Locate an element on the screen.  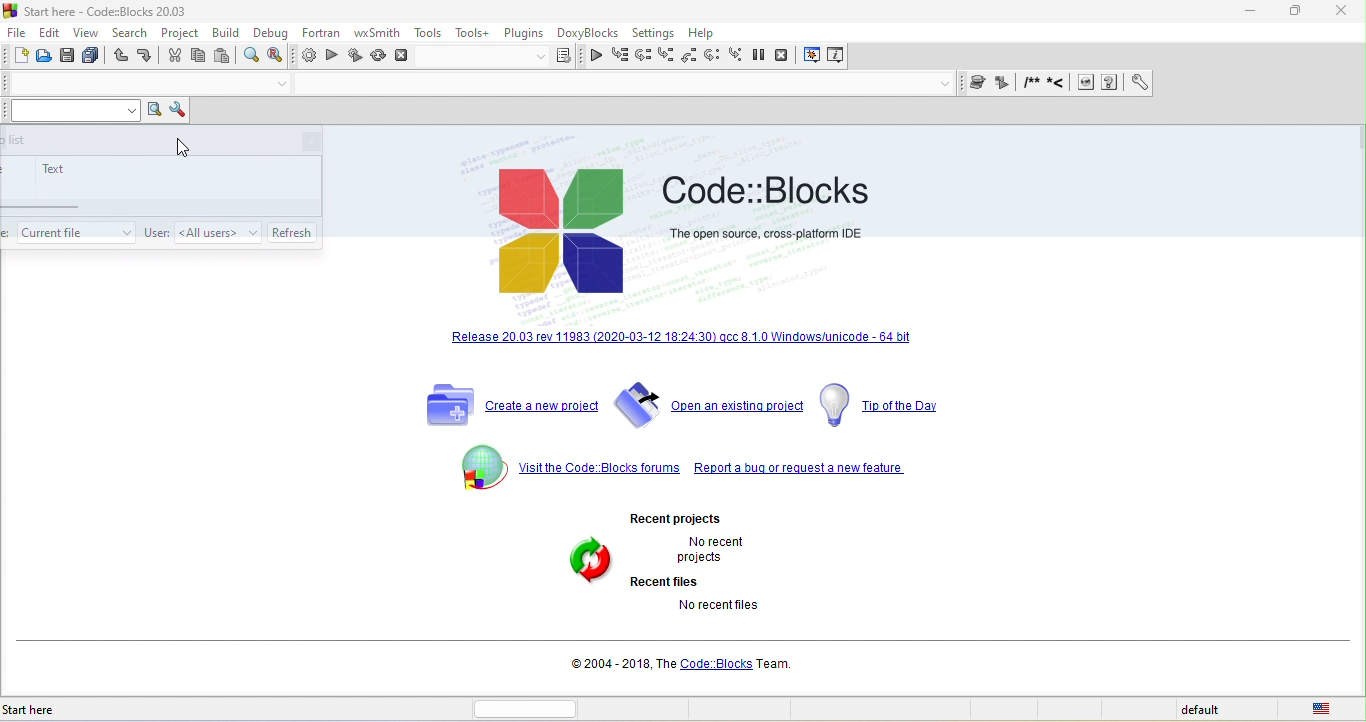
help is located at coordinates (705, 34).